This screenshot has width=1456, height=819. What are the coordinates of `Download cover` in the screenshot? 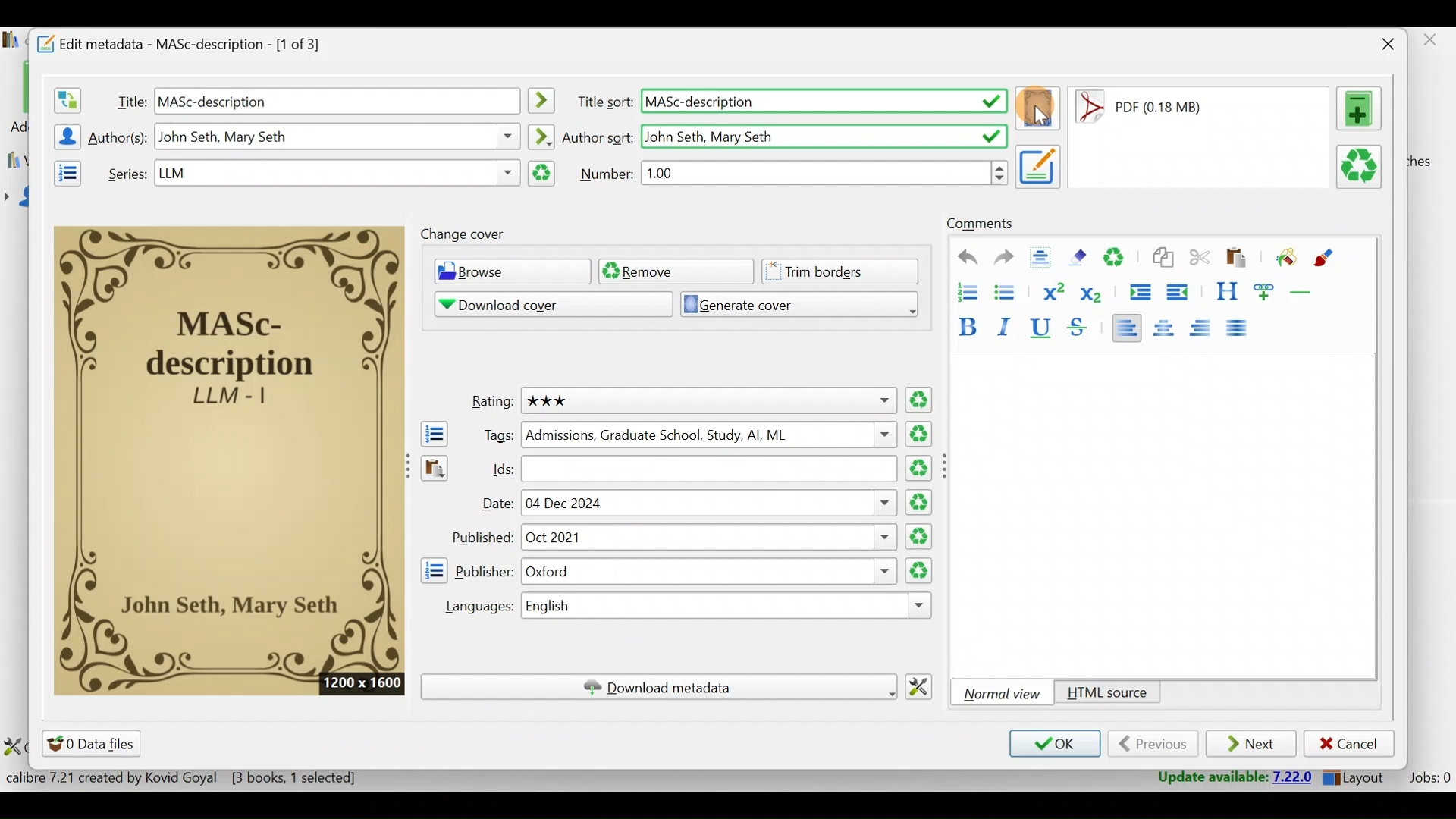 It's located at (542, 304).